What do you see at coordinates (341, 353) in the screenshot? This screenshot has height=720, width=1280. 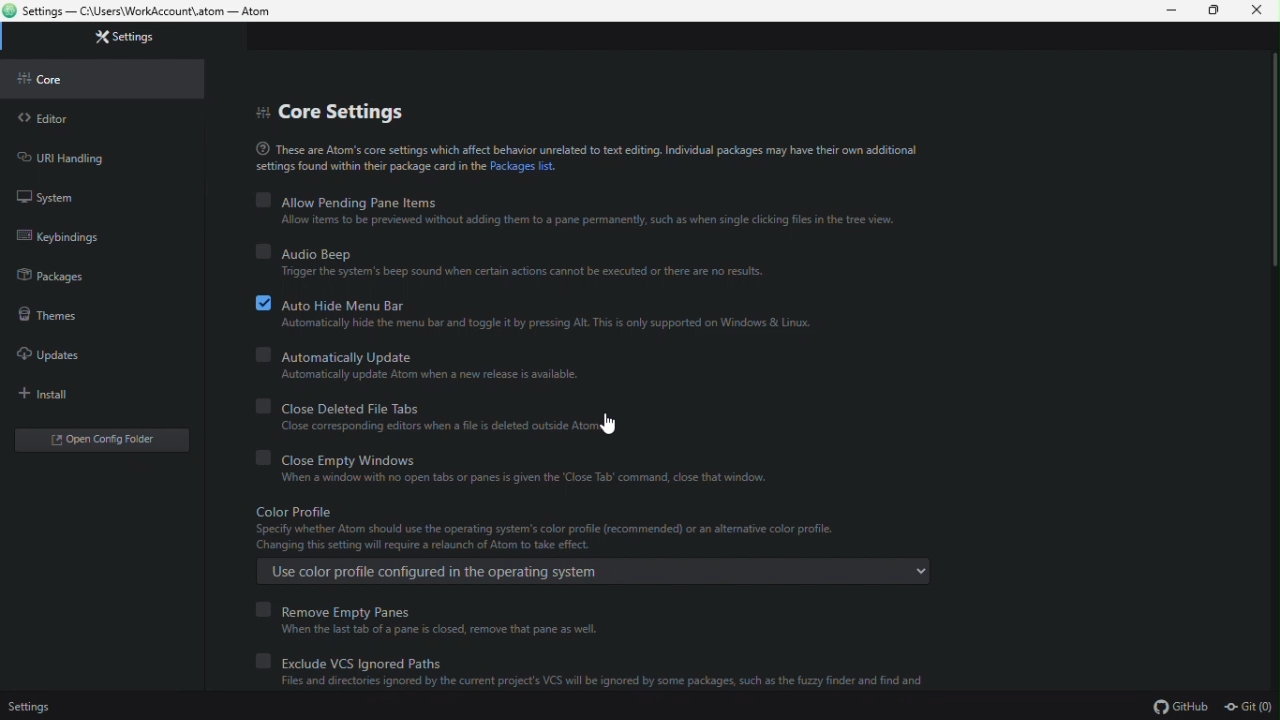 I see `Automatically update` at bounding box center [341, 353].